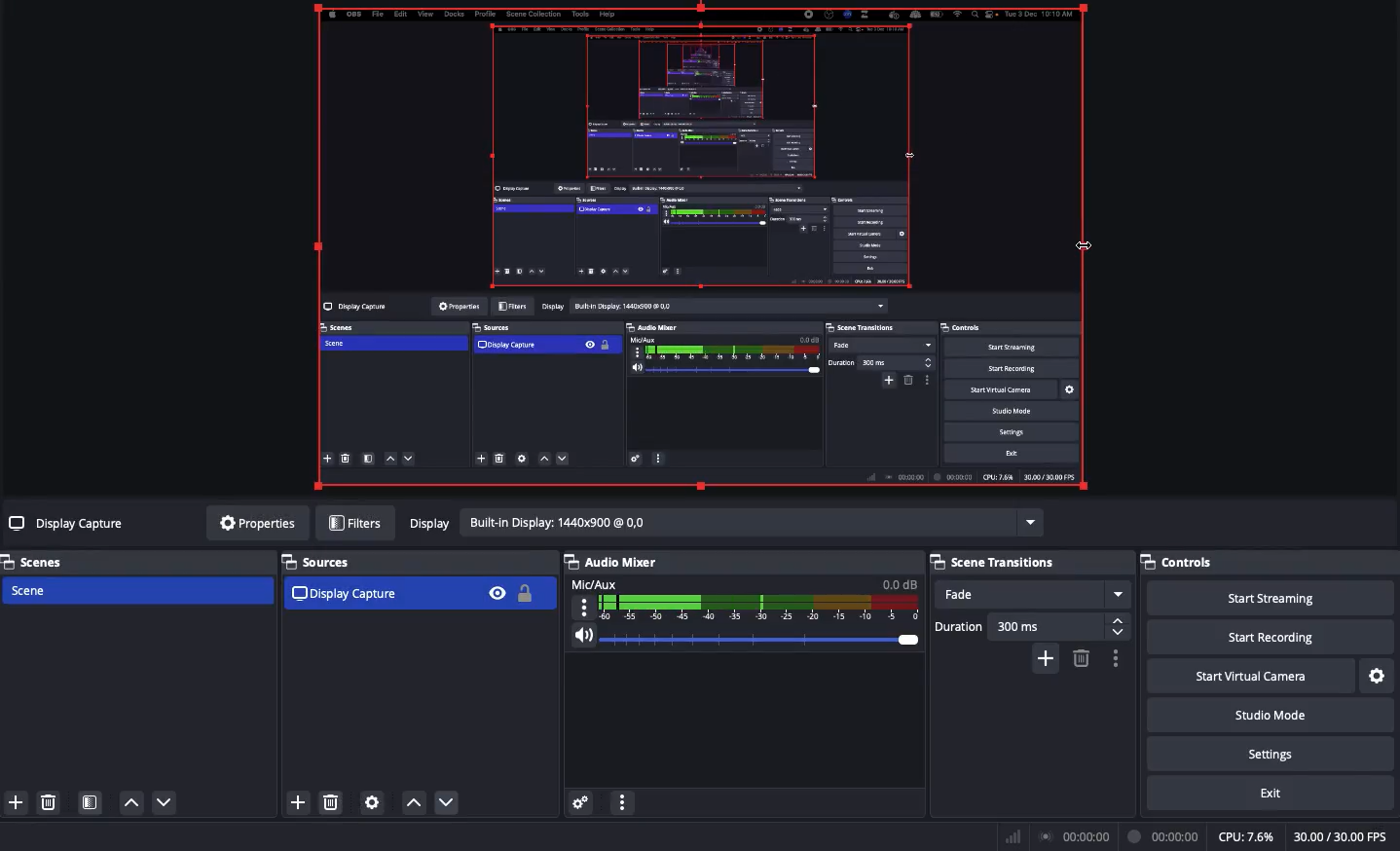  I want to click on Options, so click(1113, 658).